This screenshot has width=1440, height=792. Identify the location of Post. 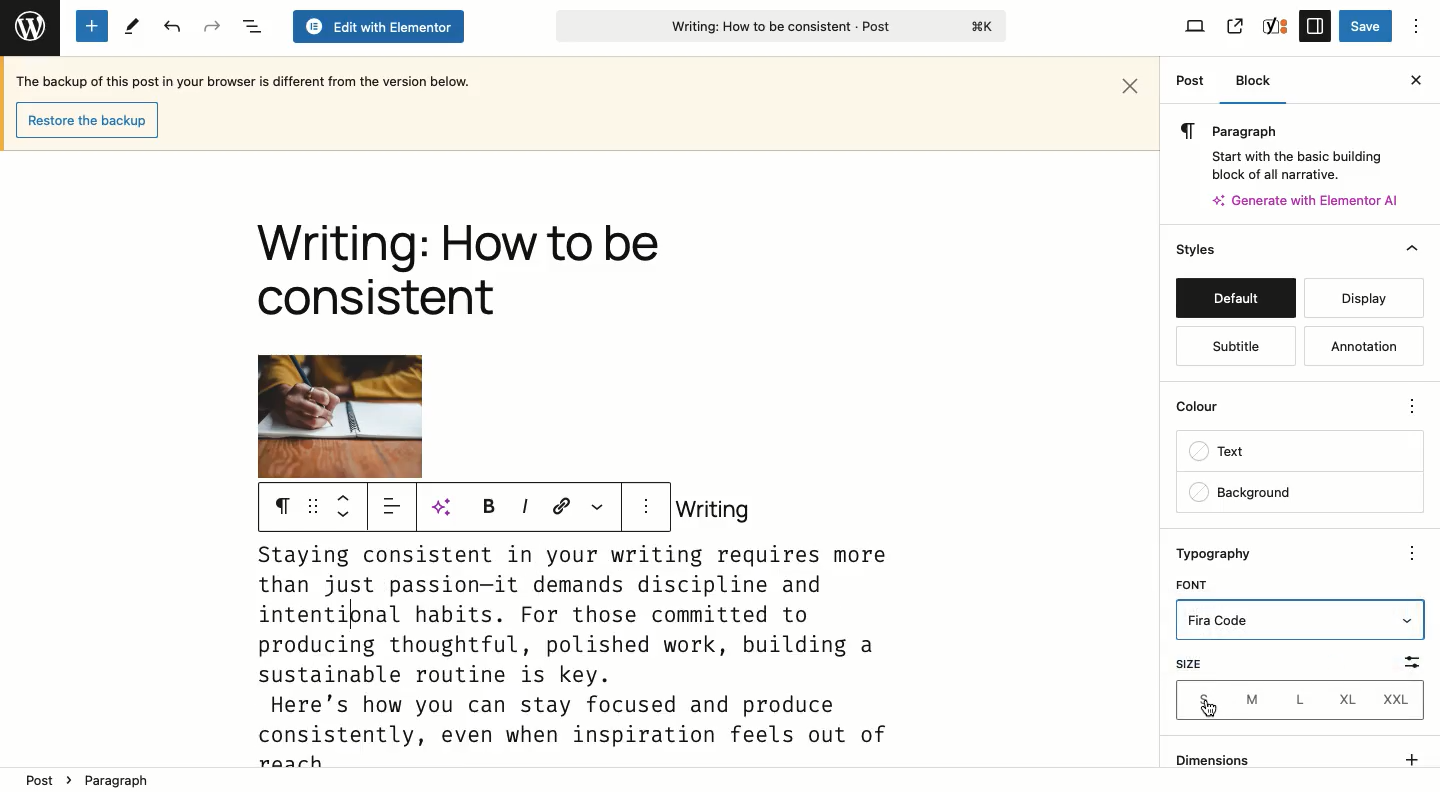
(42, 776).